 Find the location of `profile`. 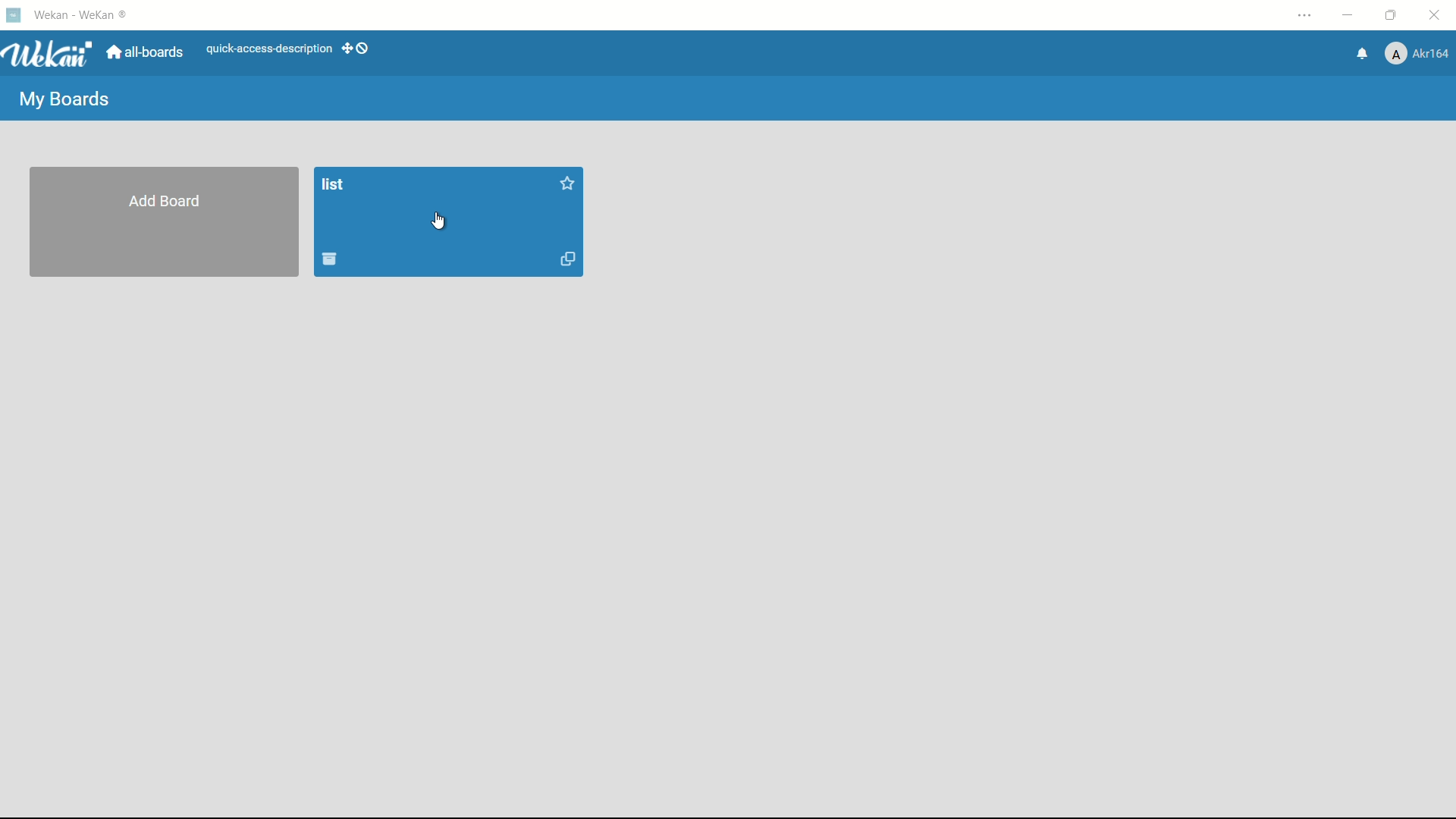

profile is located at coordinates (1419, 52).